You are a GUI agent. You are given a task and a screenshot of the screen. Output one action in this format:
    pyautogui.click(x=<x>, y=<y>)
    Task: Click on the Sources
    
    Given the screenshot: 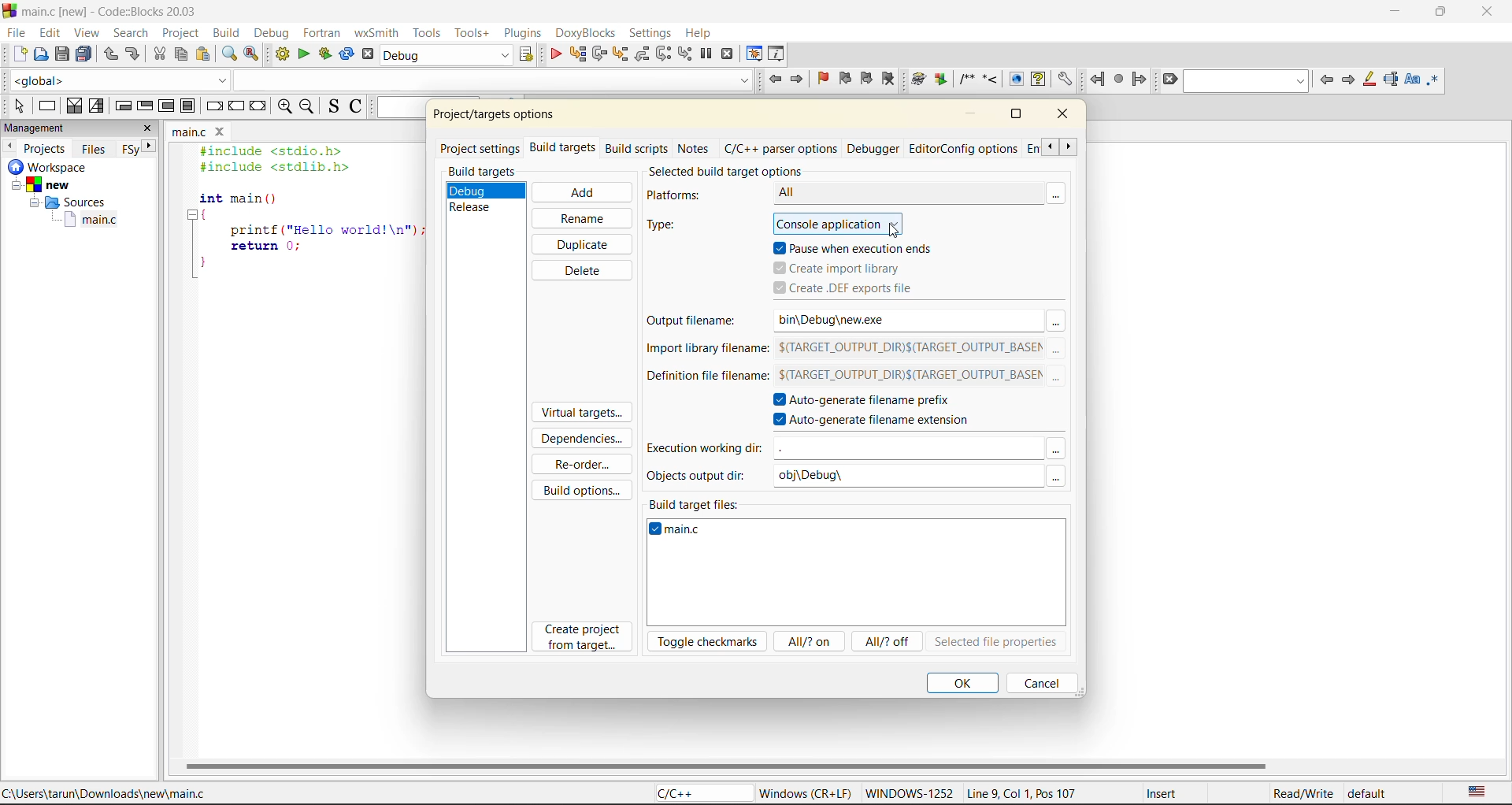 What is the action you would take?
    pyautogui.click(x=65, y=202)
    